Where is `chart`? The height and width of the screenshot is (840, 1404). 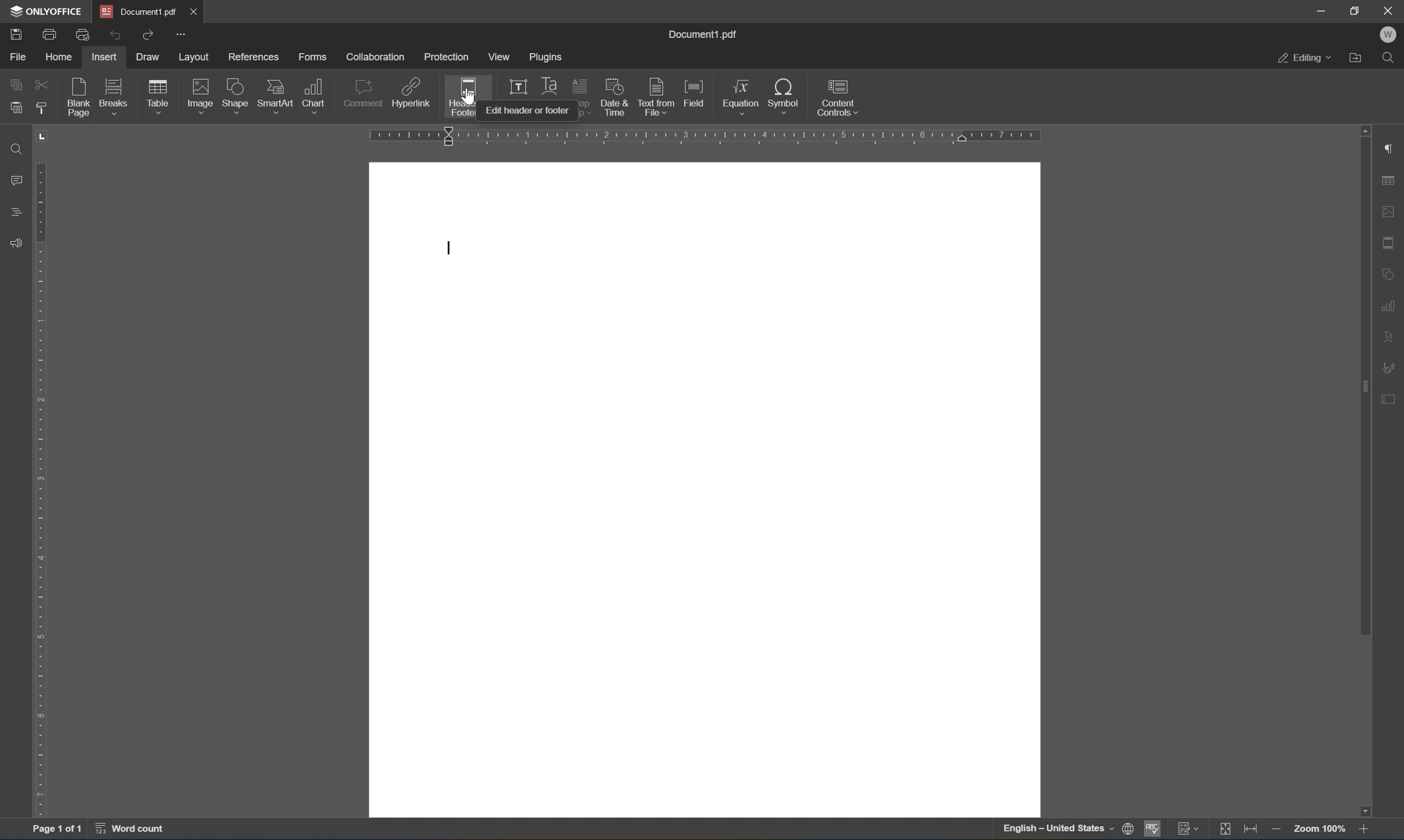
chart is located at coordinates (315, 95).